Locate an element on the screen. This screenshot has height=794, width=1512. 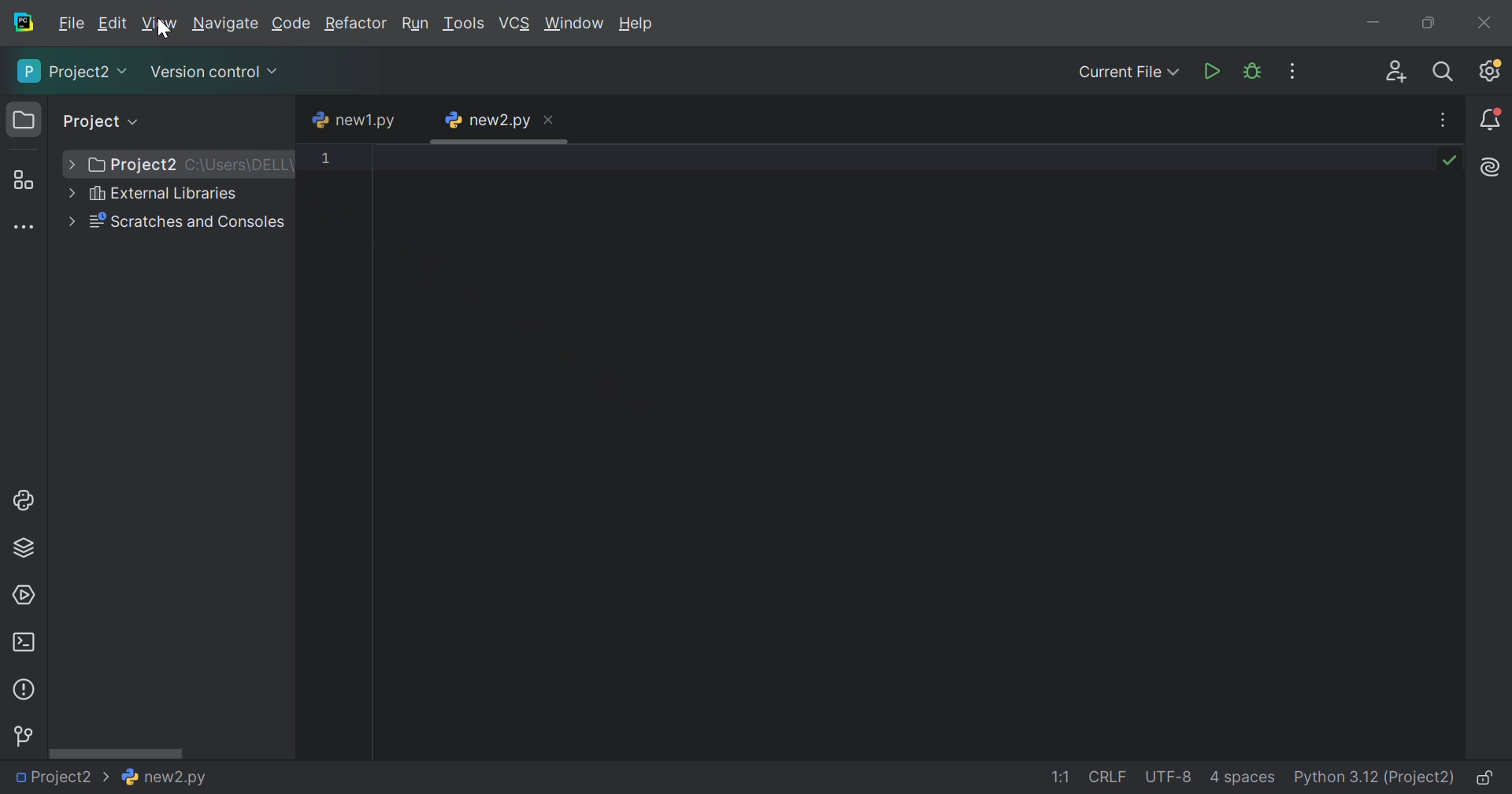
Edit is located at coordinates (113, 21).